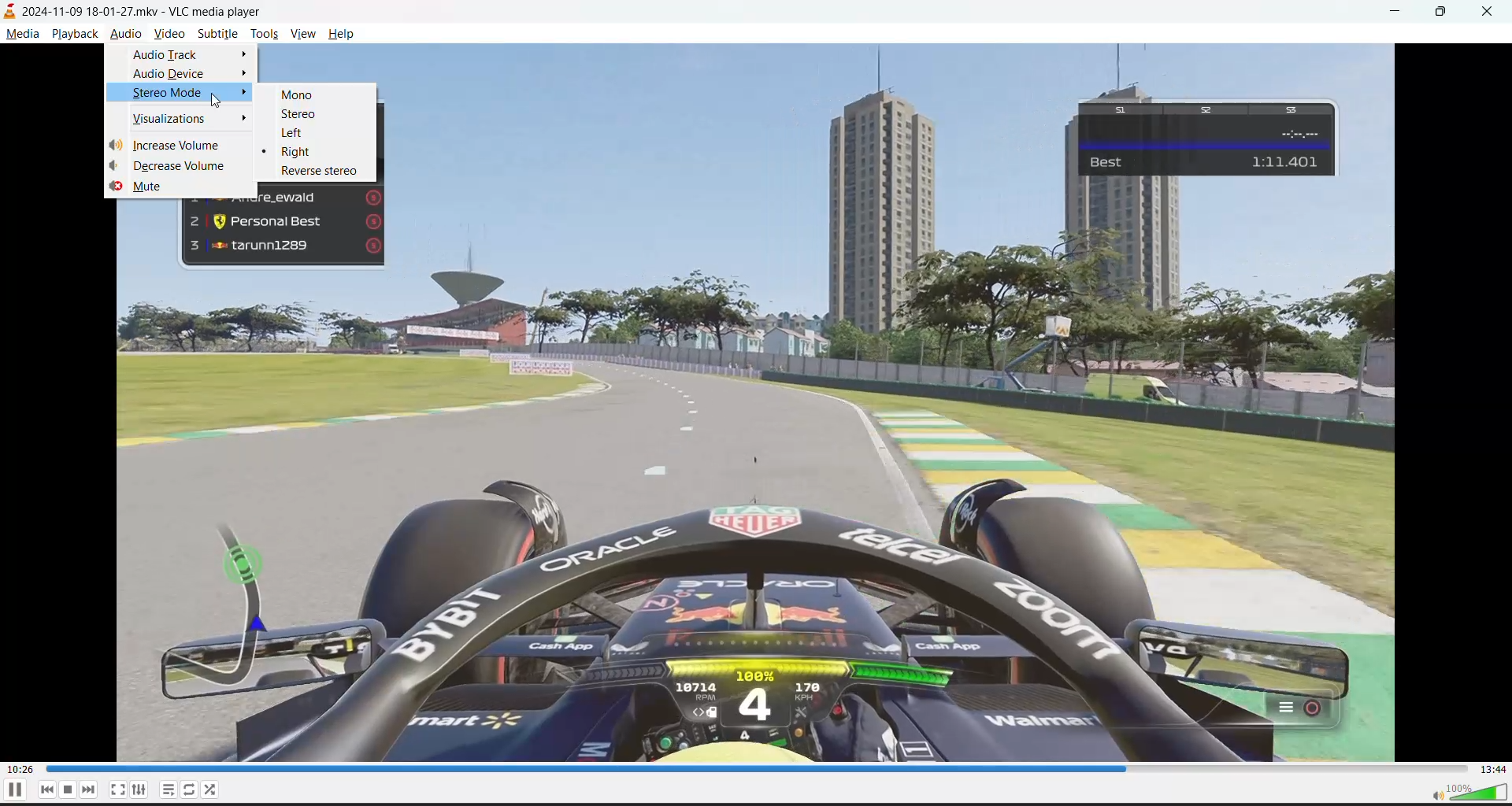  Describe the element at coordinates (144, 790) in the screenshot. I see `settings` at that location.